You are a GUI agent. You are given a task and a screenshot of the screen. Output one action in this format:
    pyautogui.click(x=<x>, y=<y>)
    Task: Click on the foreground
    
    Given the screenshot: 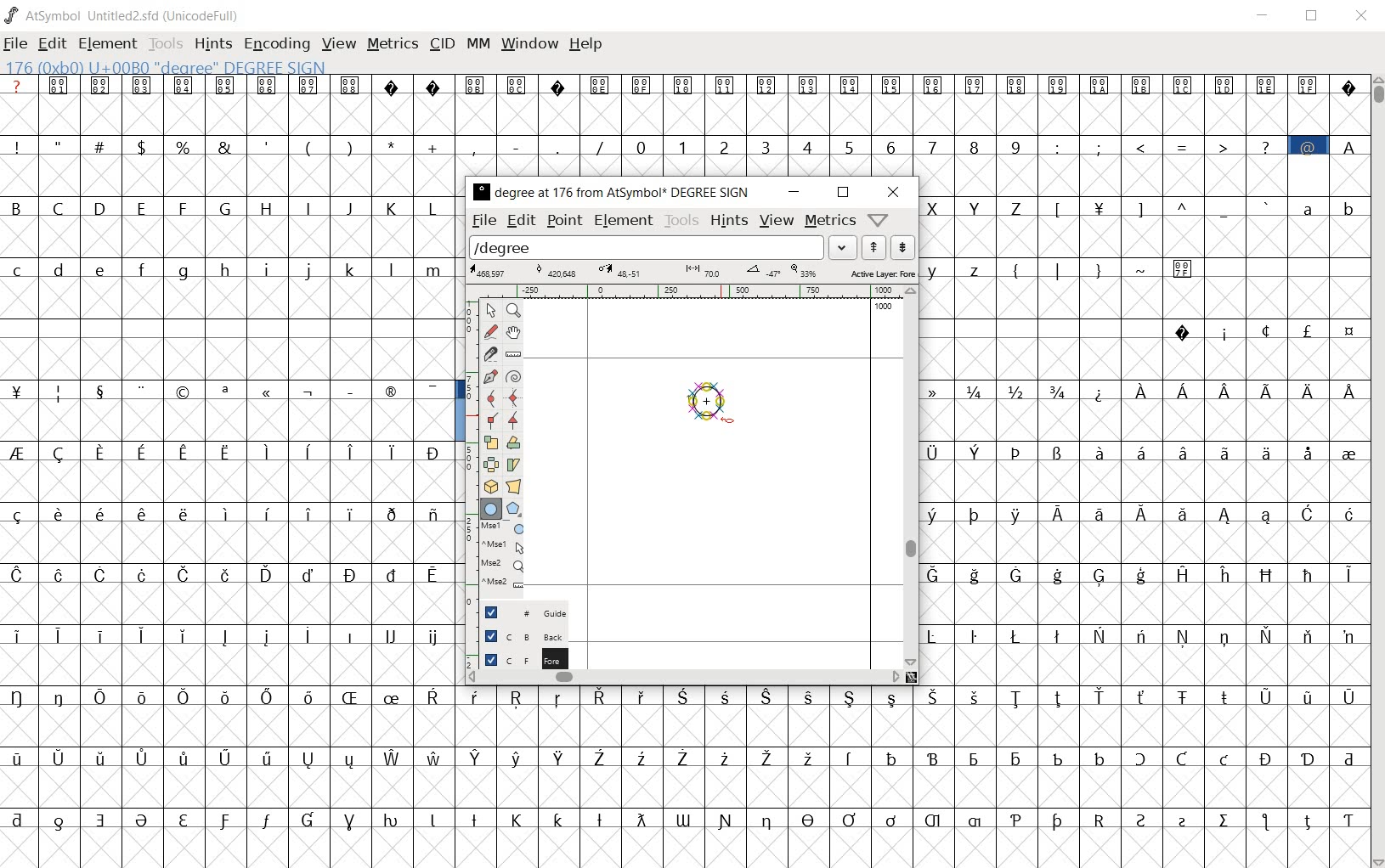 What is the action you would take?
    pyautogui.click(x=516, y=661)
    